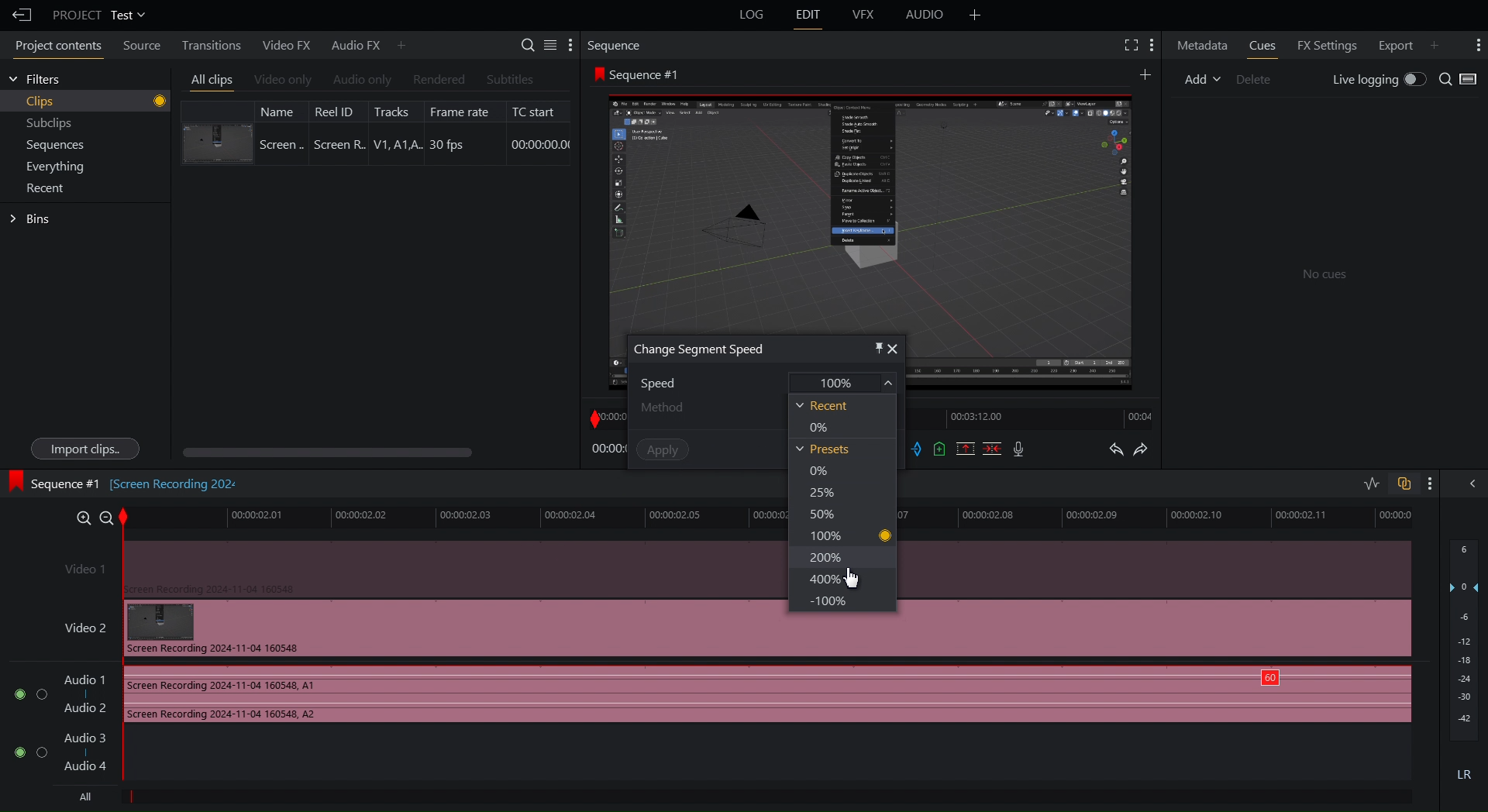 The image size is (1488, 812). I want to click on Preview , so click(870, 207).